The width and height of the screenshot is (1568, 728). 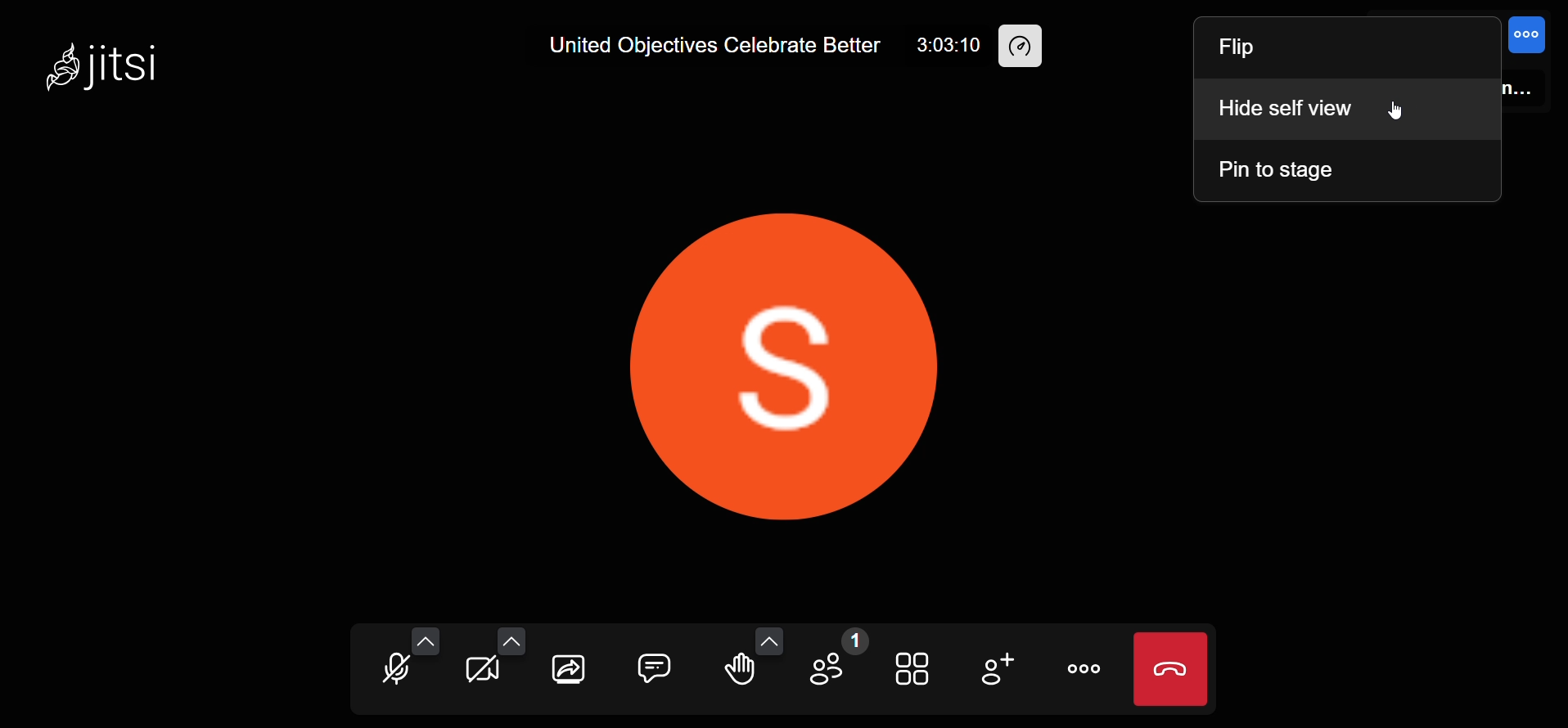 What do you see at coordinates (912, 667) in the screenshot?
I see `tile view` at bounding box center [912, 667].